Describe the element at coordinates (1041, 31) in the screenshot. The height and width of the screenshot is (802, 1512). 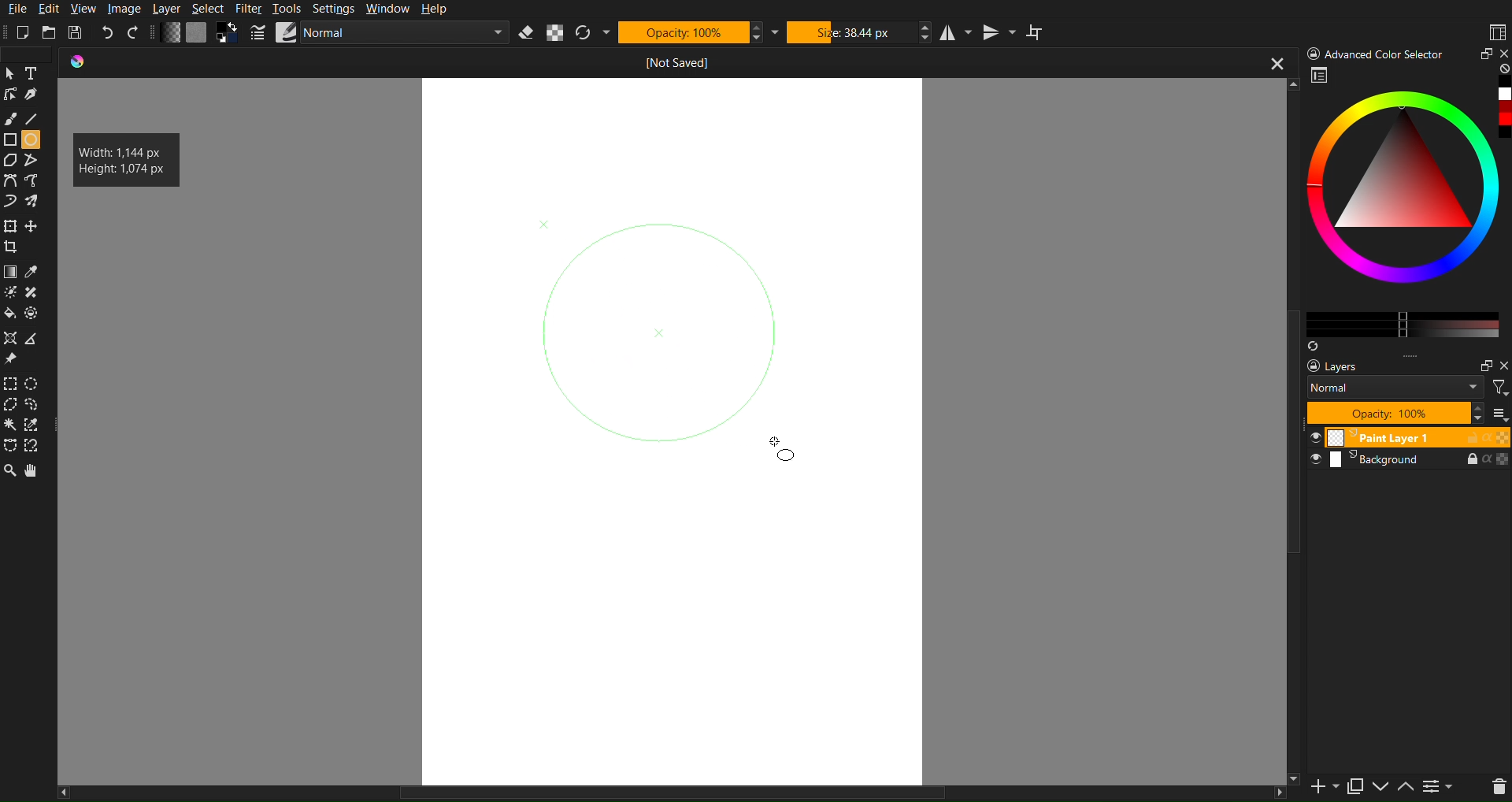
I see `Wraparound` at that location.